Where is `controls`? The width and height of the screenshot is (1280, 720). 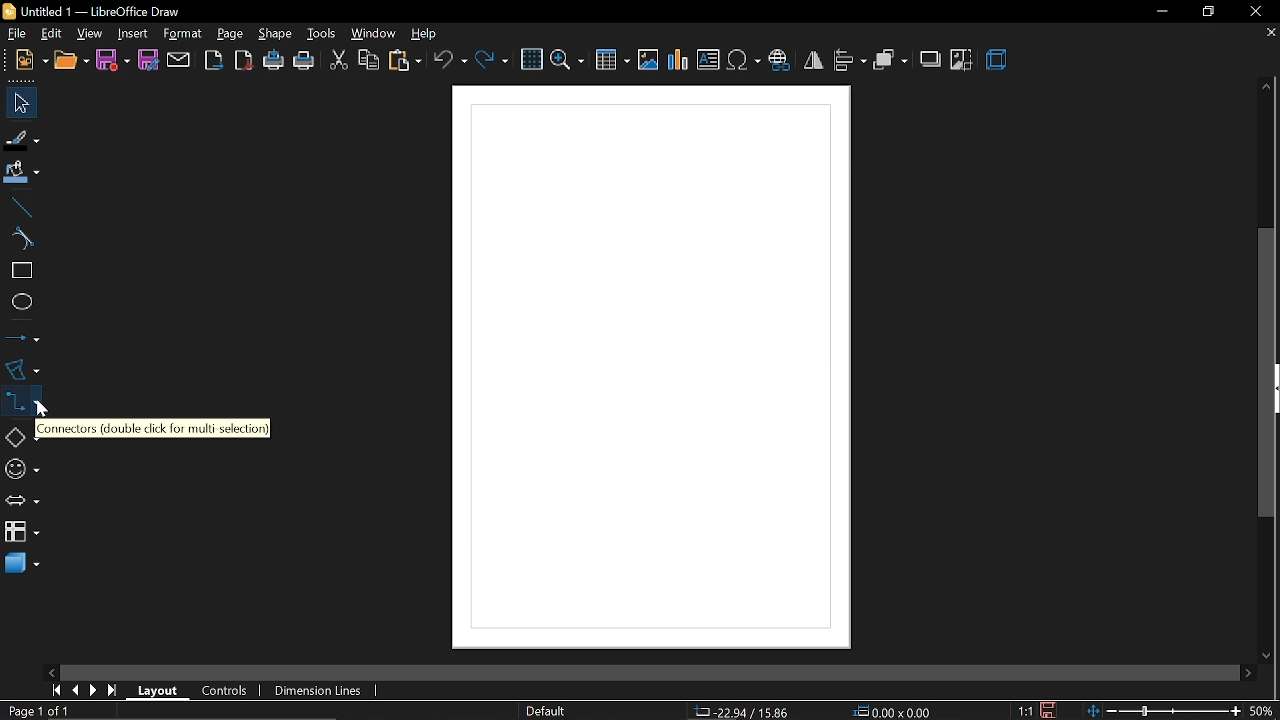 controls is located at coordinates (226, 692).